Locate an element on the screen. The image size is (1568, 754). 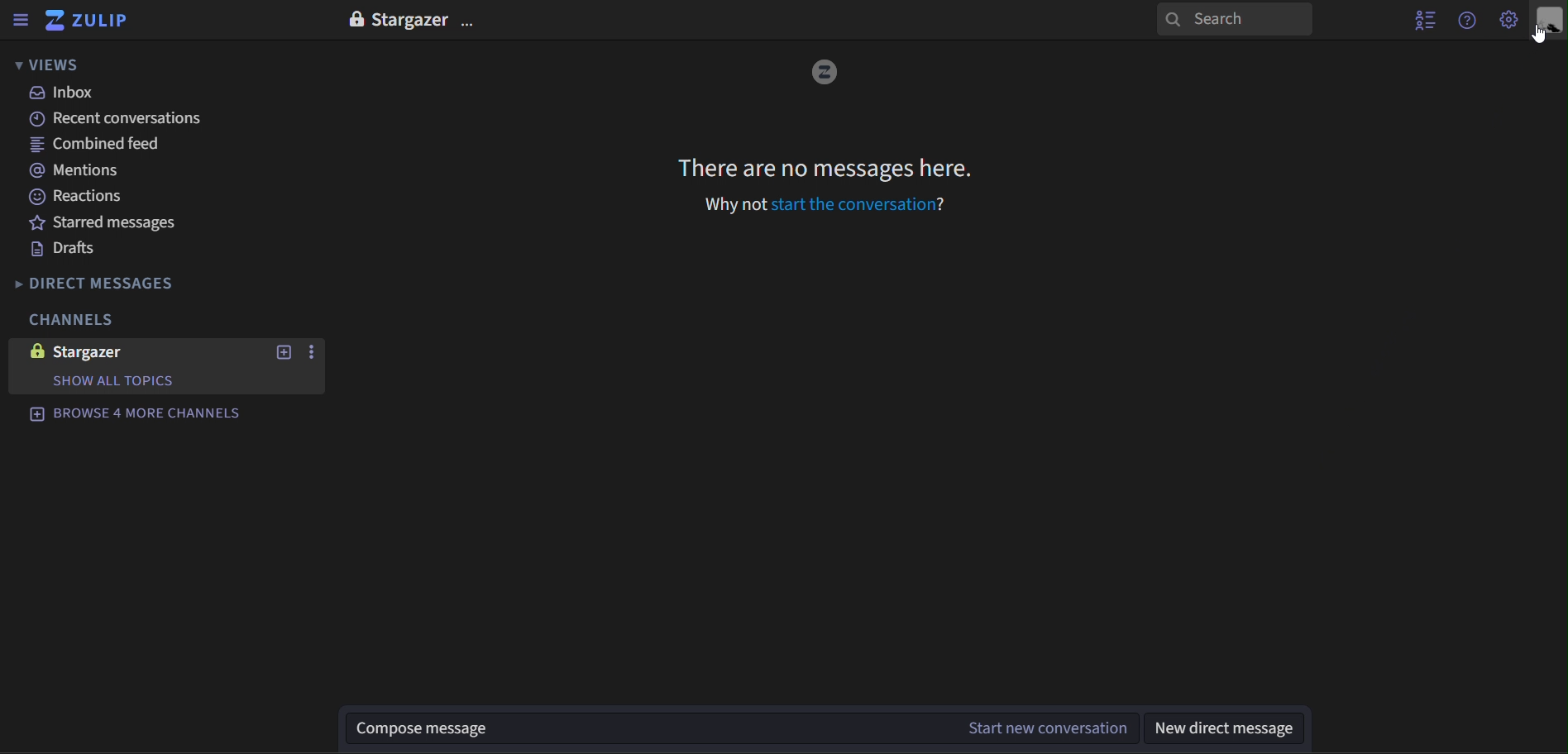
personal menu is located at coordinates (1547, 21).